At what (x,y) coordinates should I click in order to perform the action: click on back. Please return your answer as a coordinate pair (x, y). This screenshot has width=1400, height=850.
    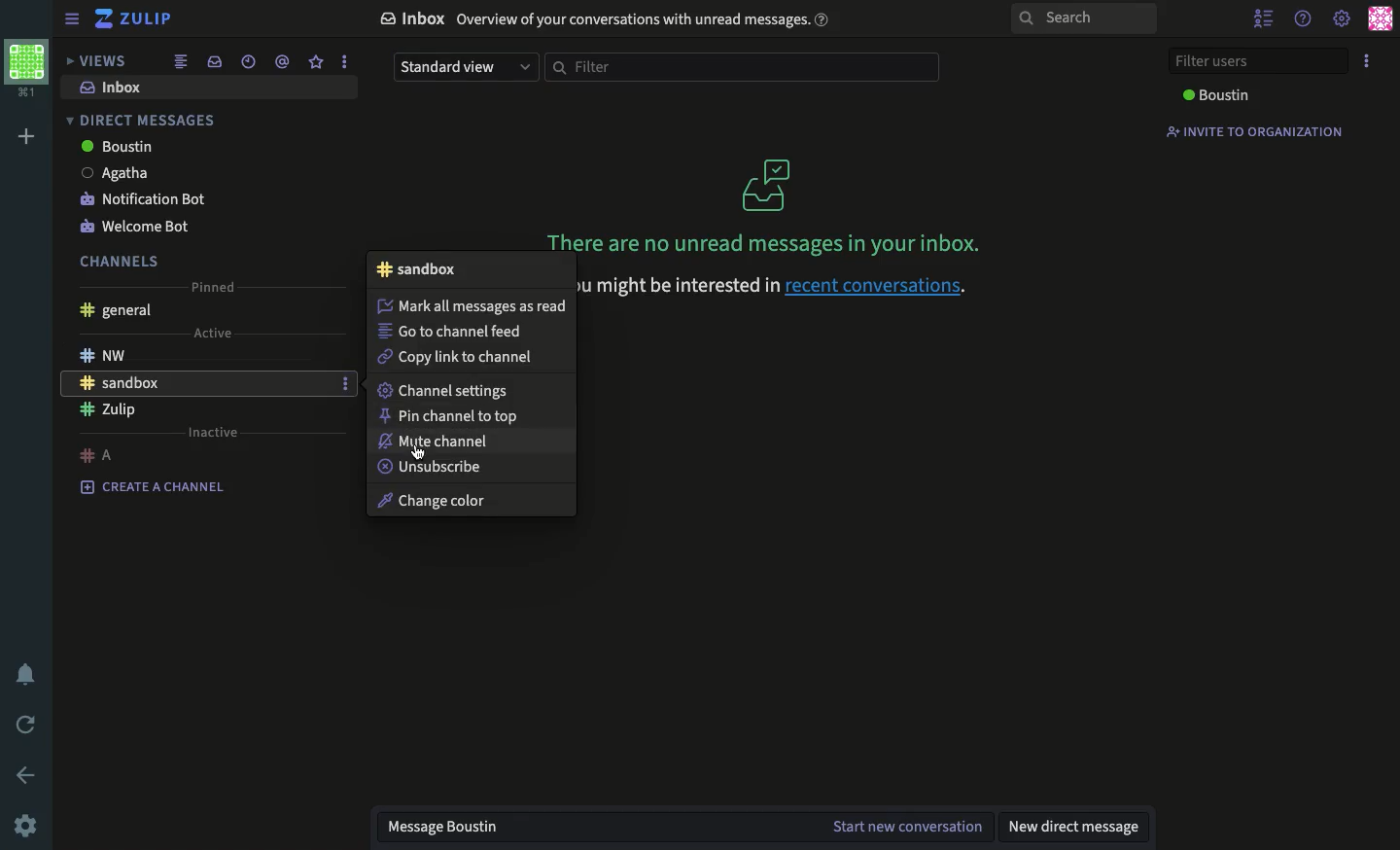
    Looking at the image, I should click on (26, 775).